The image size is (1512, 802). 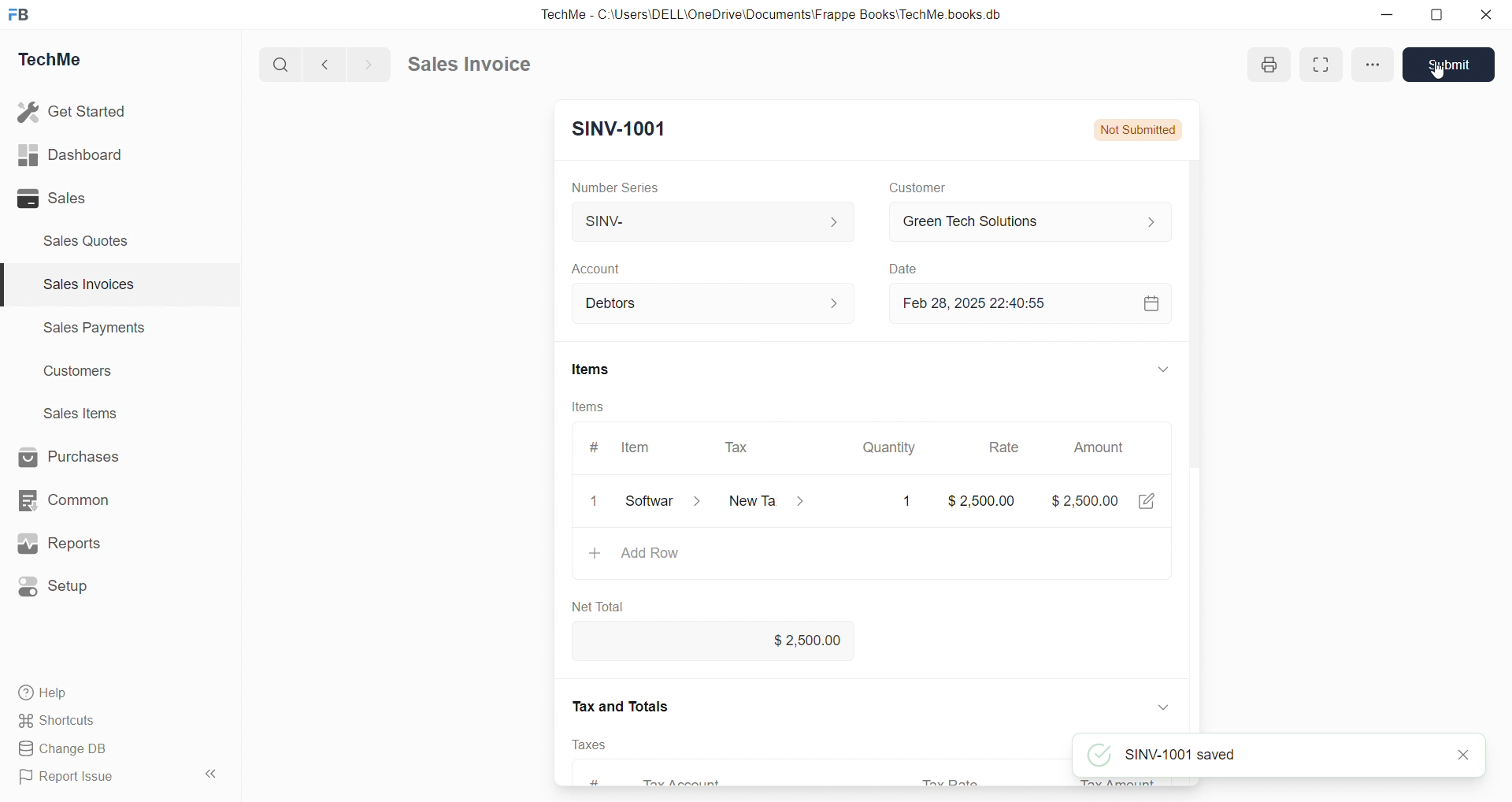 I want to click on Amount, so click(x=1099, y=447).